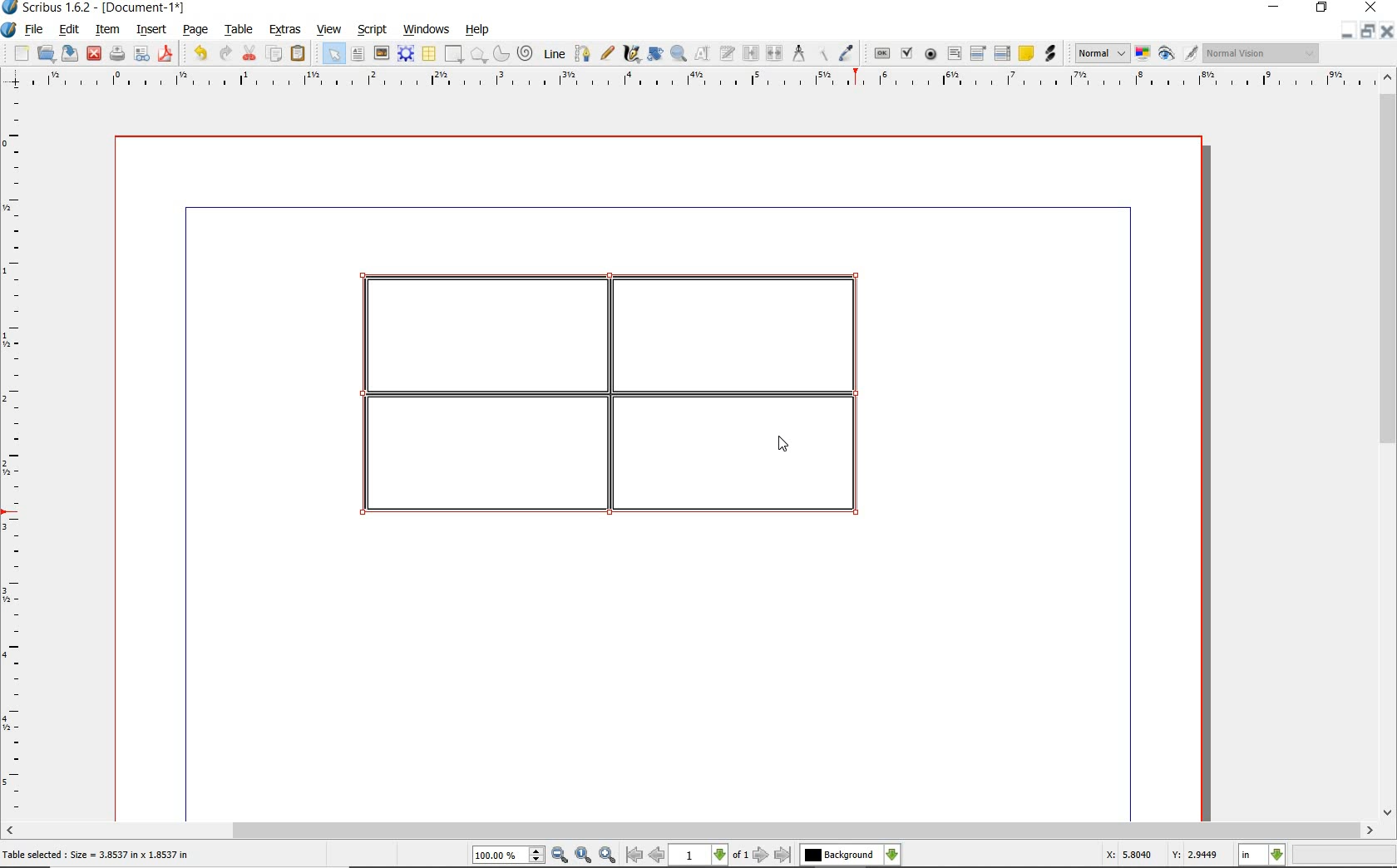 This screenshot has width=1397, height=868. I want to click on scrollbar, so click(1387, 446).